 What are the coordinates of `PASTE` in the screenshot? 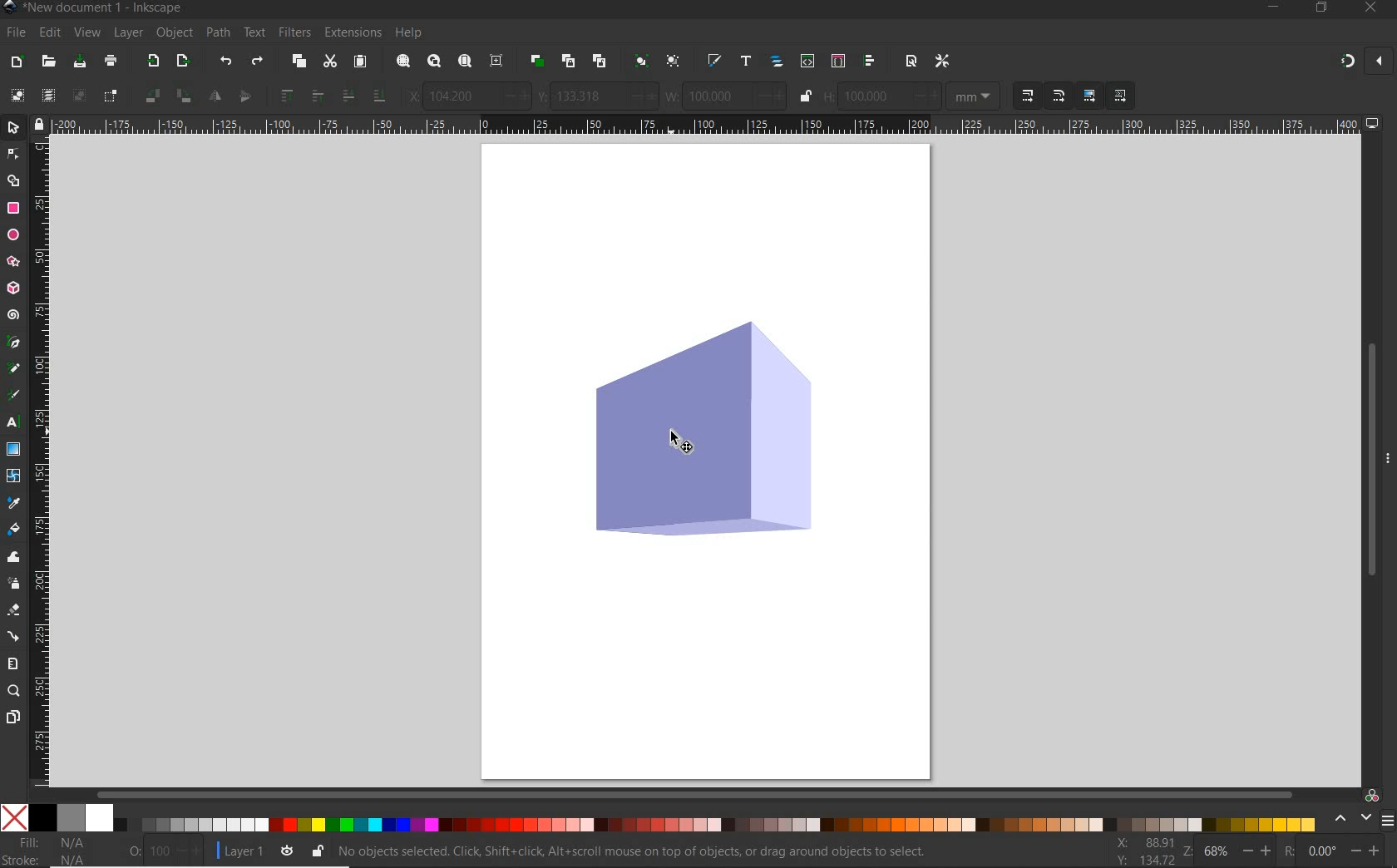 It's located at (359, 62).